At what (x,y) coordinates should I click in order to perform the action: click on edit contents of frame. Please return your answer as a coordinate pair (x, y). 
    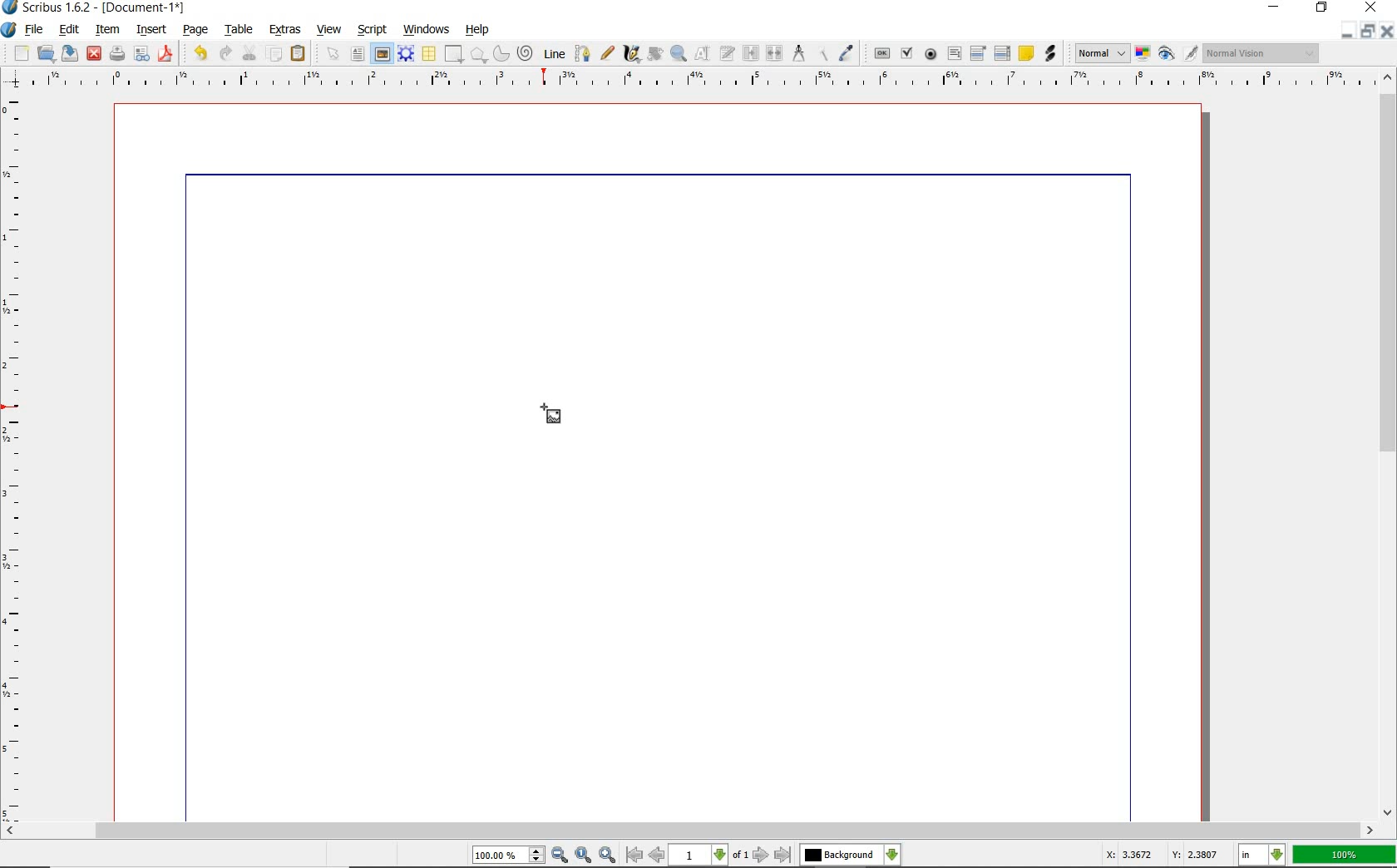
    Looking at the image, I should click on (704, 53).